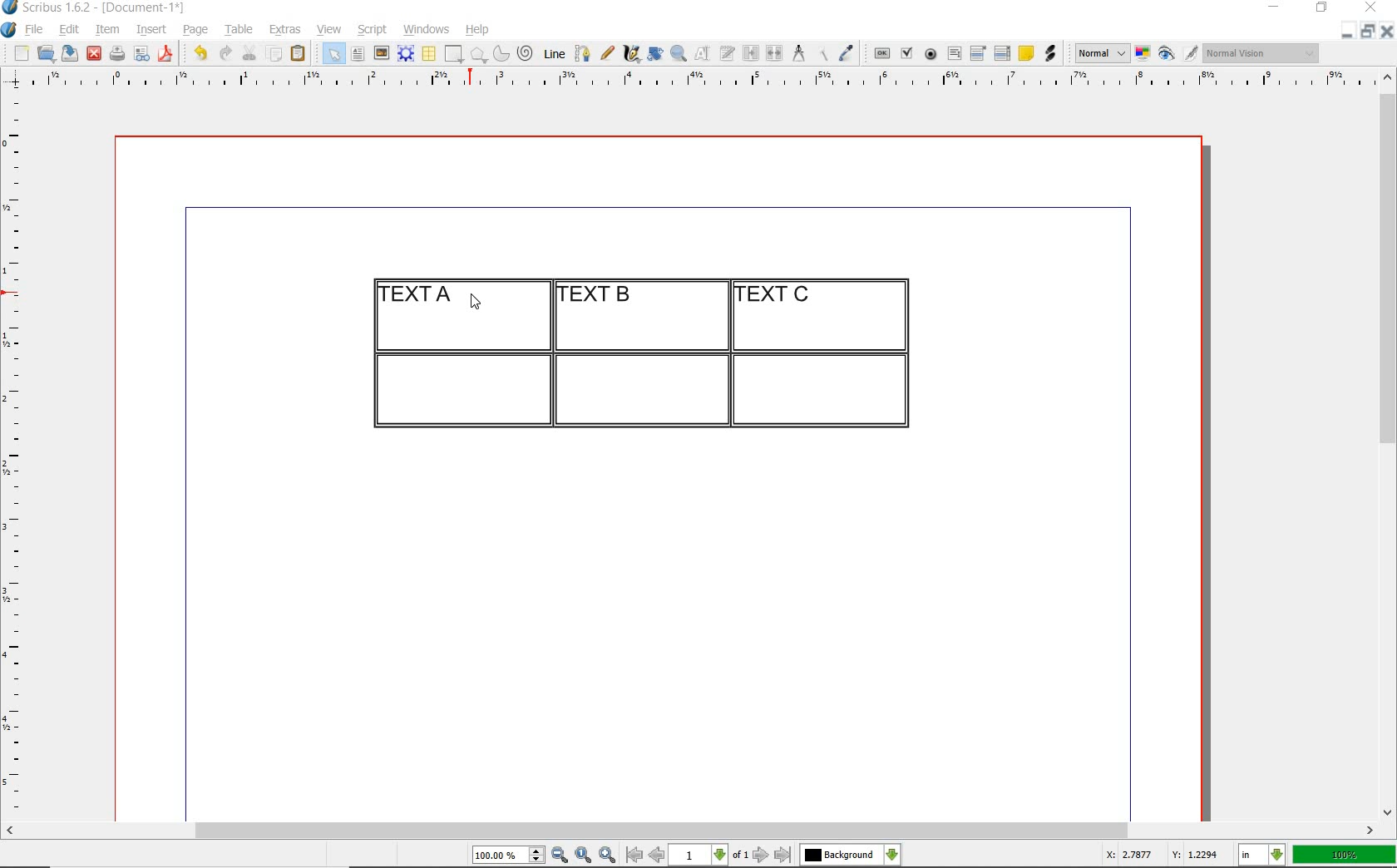 This screenshot has height=868, width=1397. Describe the element at coordinates (36, 30) in the screenshot. I see `file` at that location.